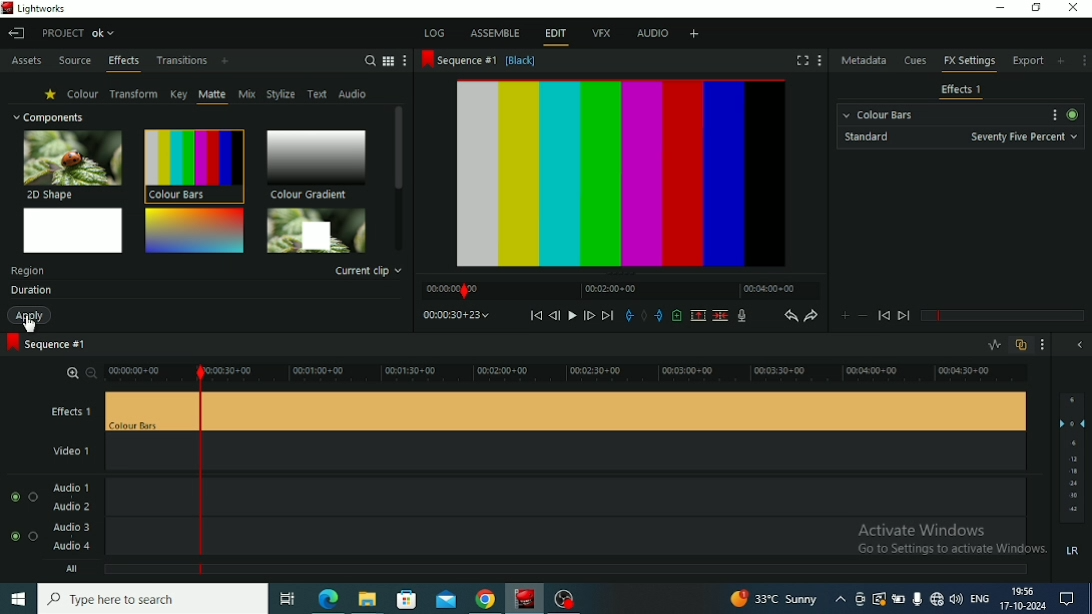 The height and width of the screenshot is (614, 1092). I want to click on Colour matte, so click(74, 230).